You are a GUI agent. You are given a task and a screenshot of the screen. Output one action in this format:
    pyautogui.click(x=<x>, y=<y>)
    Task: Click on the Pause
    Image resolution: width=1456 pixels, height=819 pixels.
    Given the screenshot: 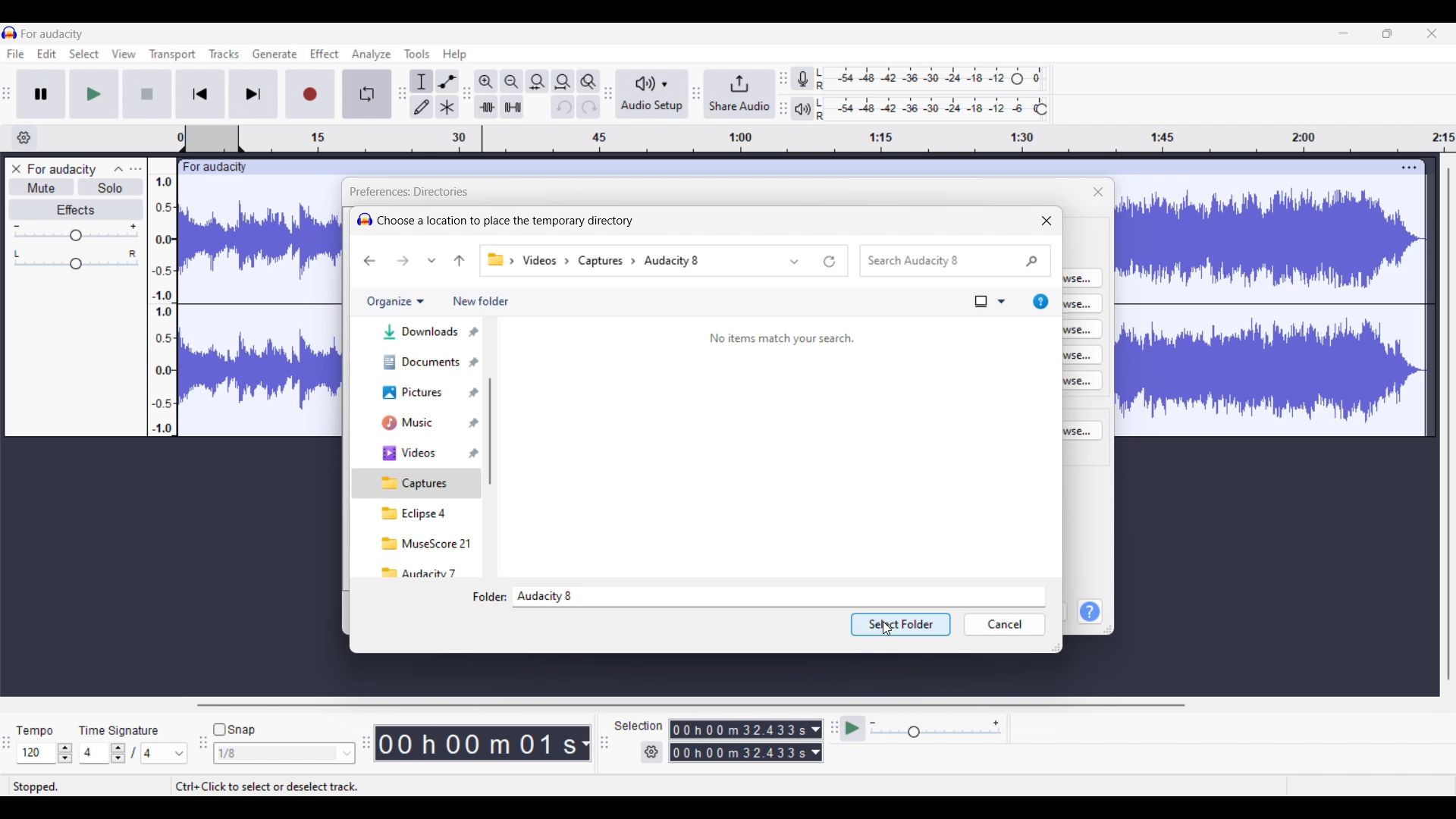 What is the action you would take?
    pyautogui.click(x=42, y=94)
    